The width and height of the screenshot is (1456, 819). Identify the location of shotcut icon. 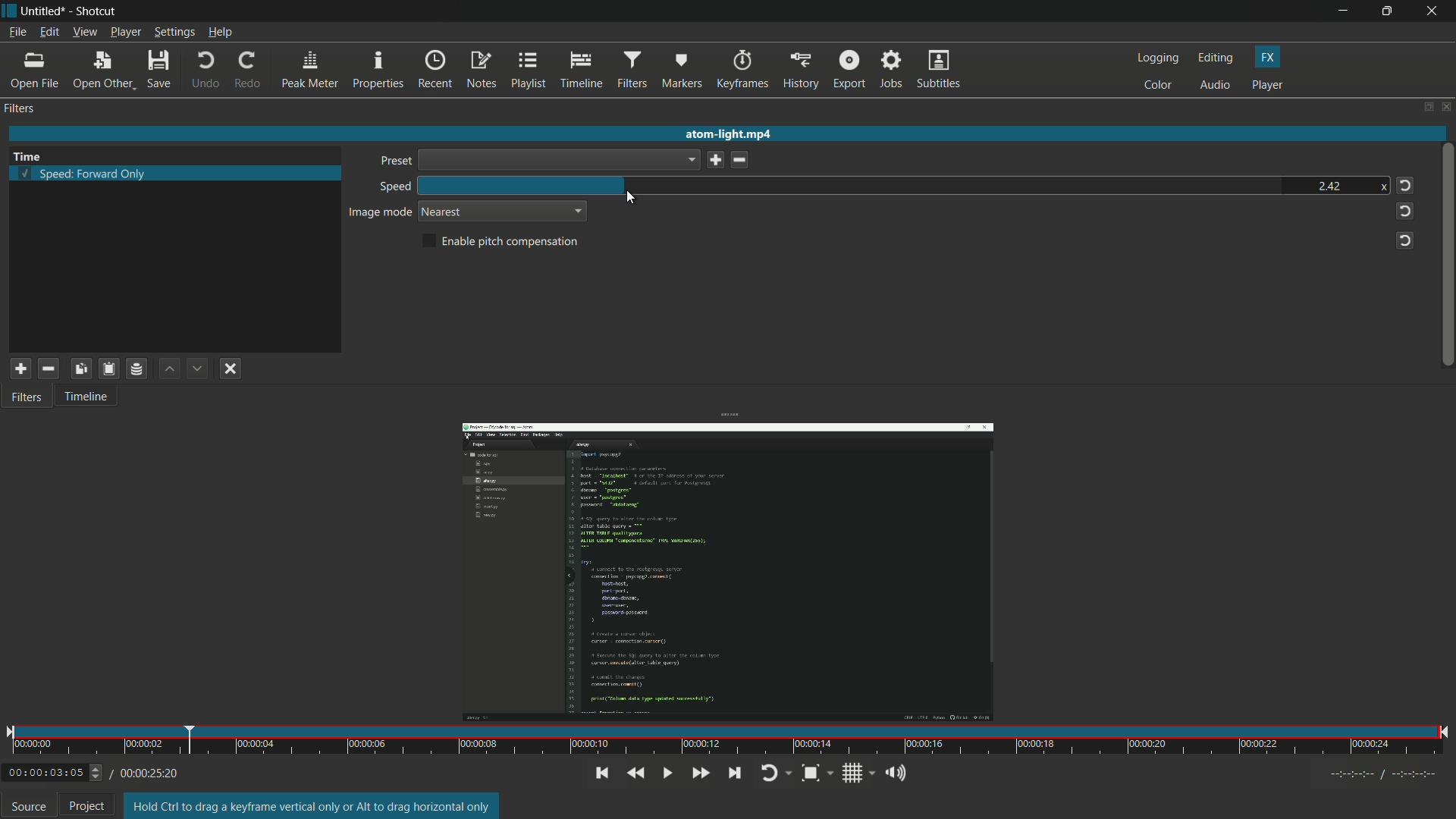
(9, 10).